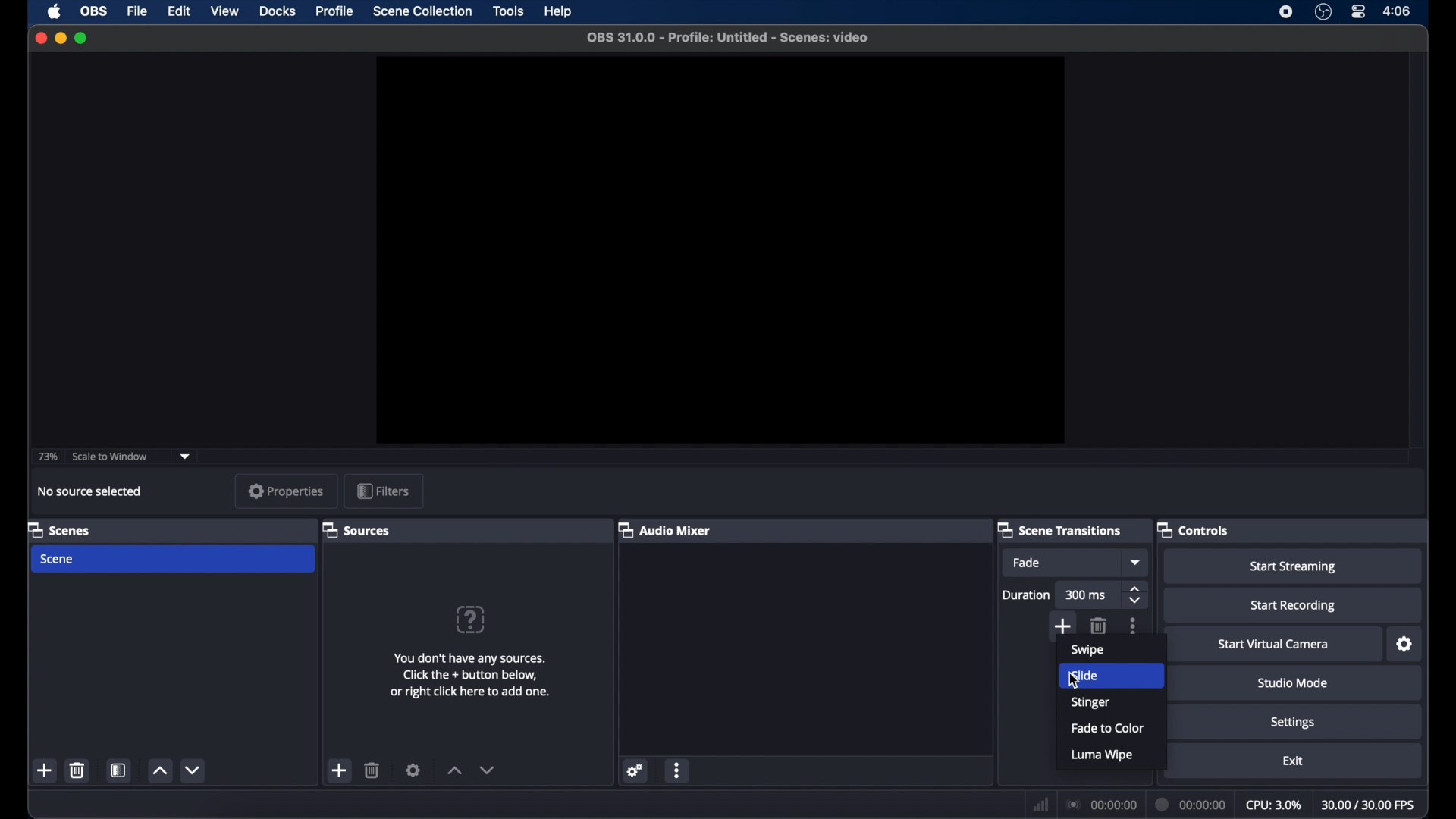  I want to click on scene filters, so click(119, 770).